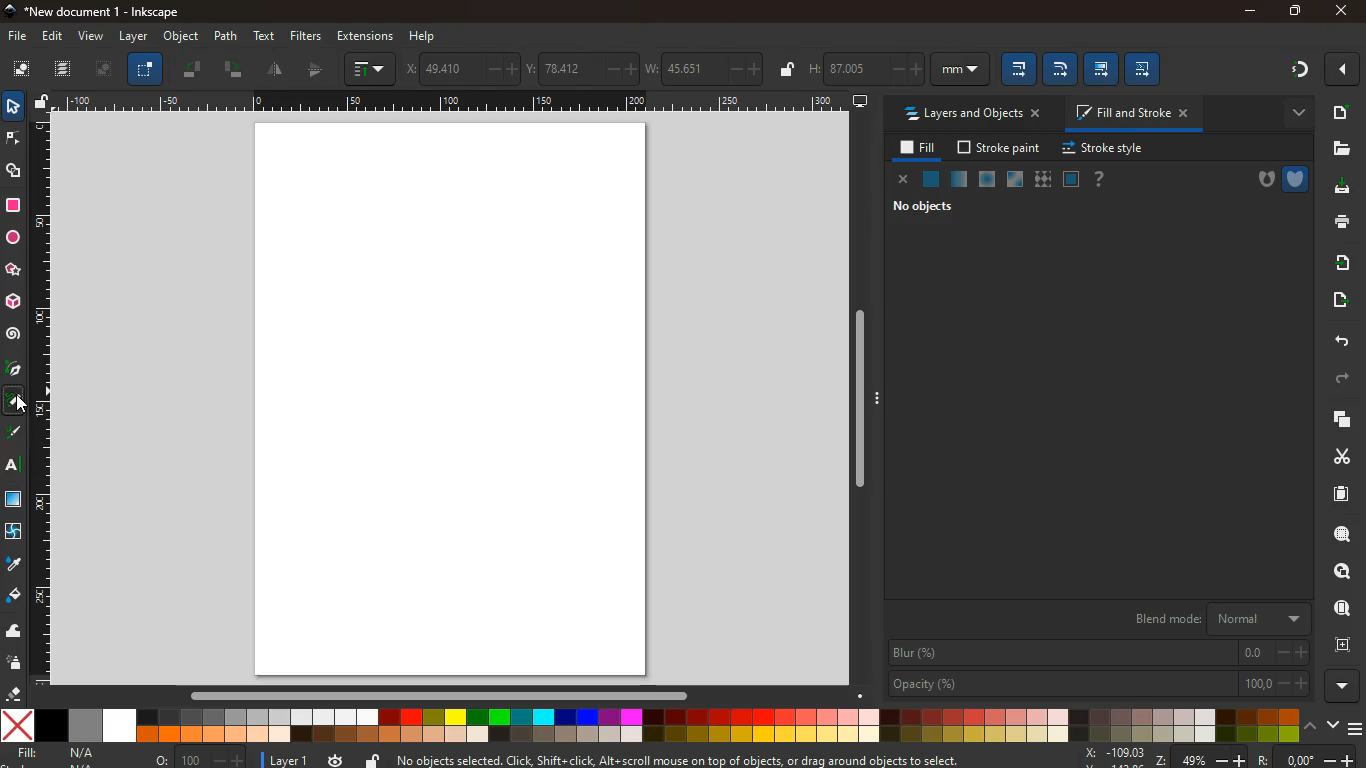 The width and height of the screenshot is (1366, 768). I want to click on glass, so click(958, 181).